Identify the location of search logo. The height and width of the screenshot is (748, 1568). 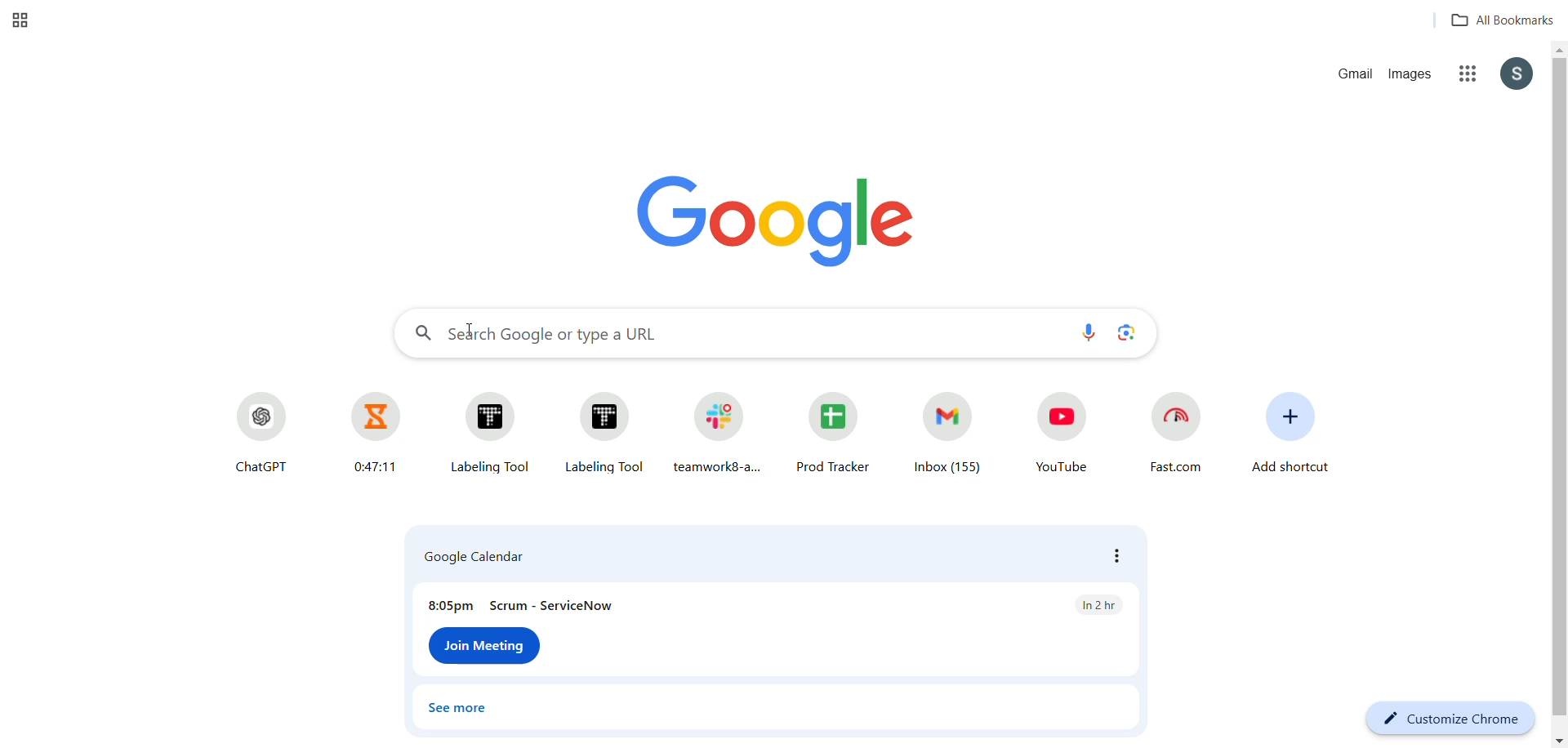
(422, 335).